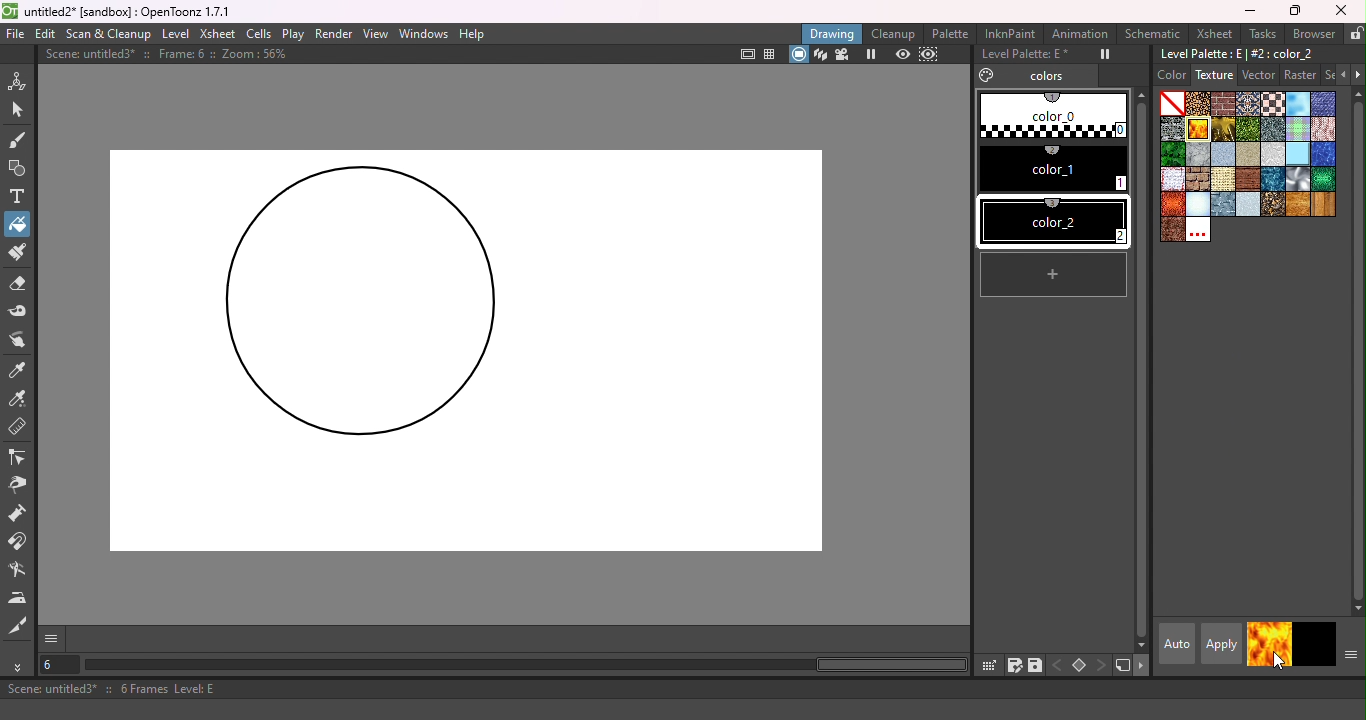 Image resolution: width=1366 pixels, height=720 pixels. I want to click on Cells, so click(258, 34).